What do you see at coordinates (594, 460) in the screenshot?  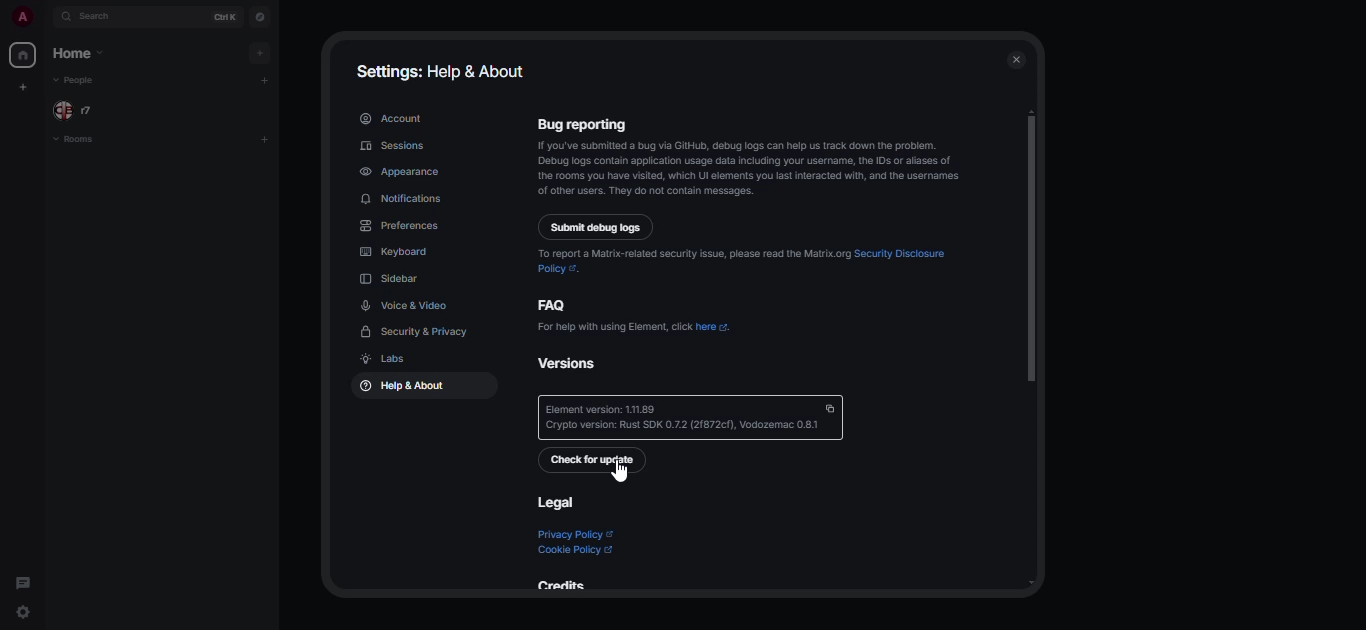 I see `check for update` at bounding box center [594, 460].